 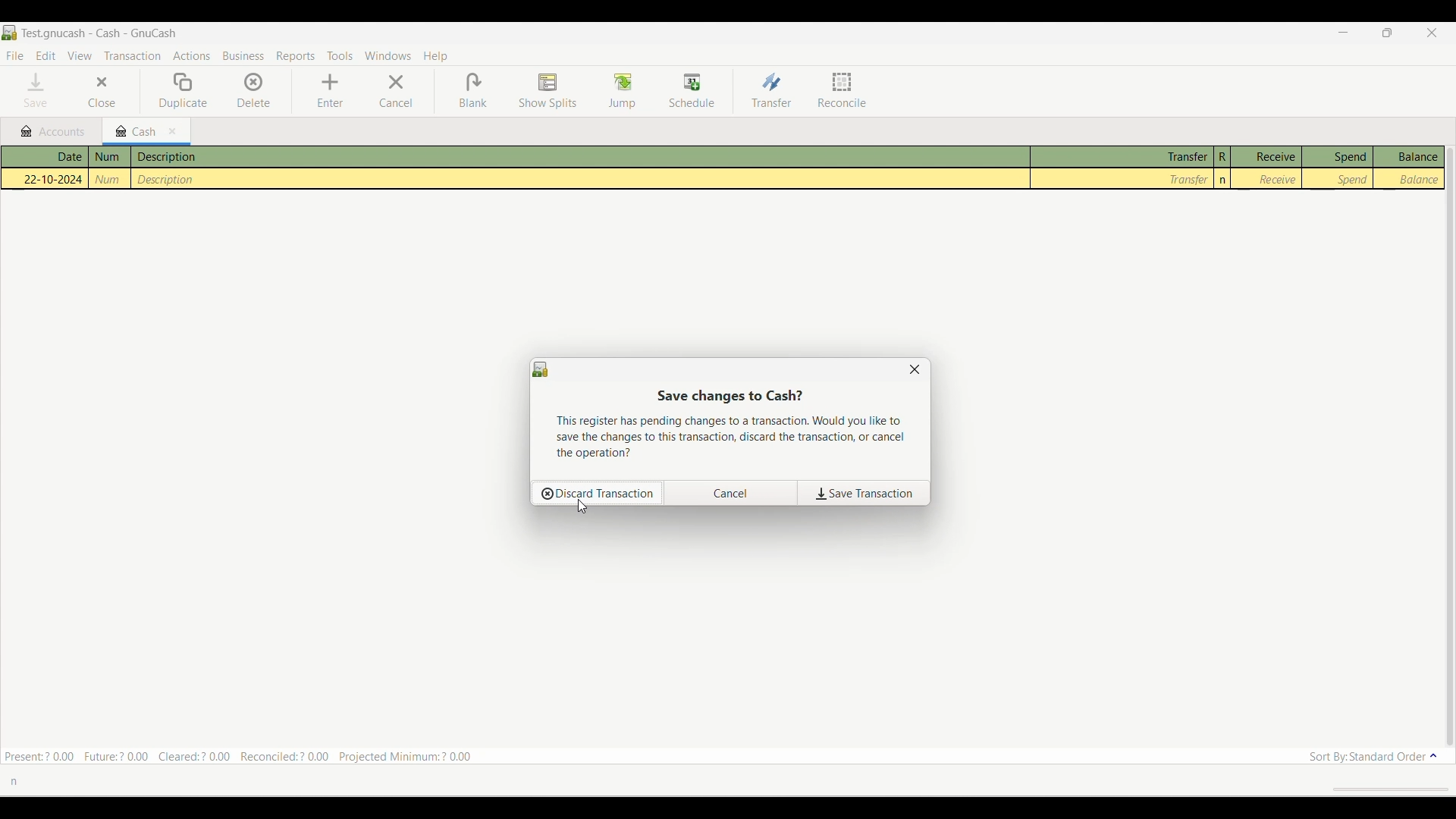 I want to click on Close, so click(x=102, y=90).